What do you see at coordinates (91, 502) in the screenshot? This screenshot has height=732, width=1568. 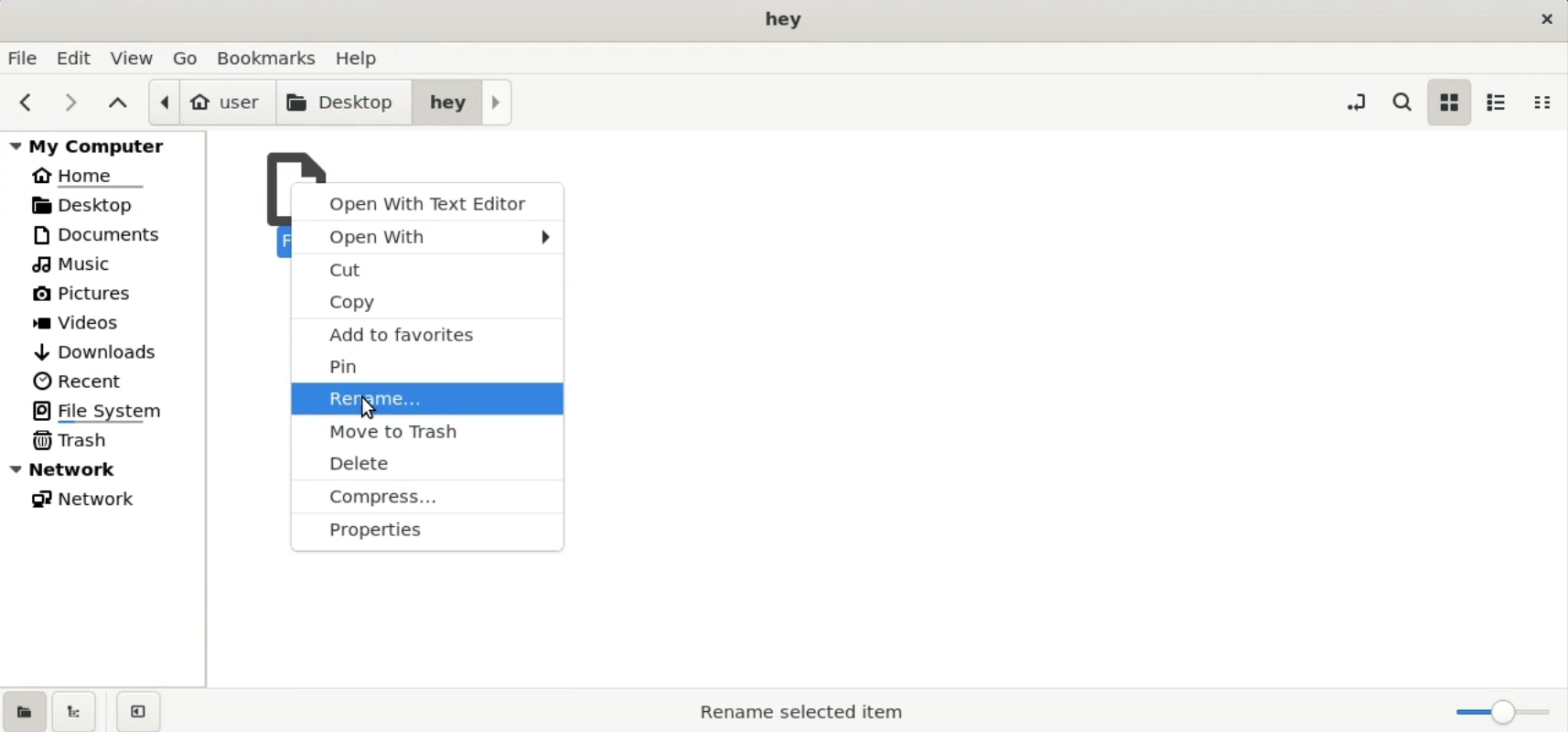 I see `network` at bounding box center [91, 502].